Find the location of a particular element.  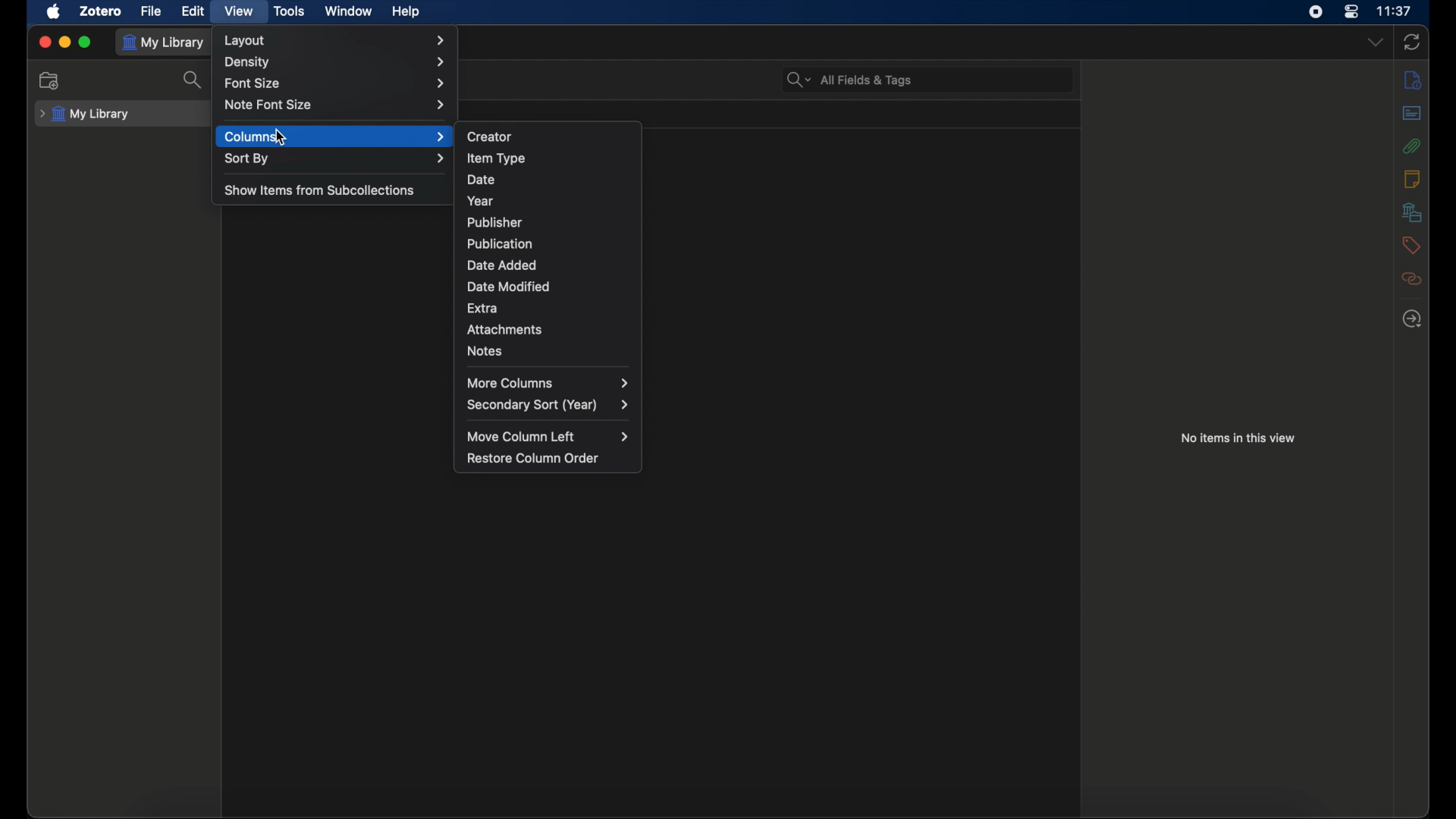

date added is located at coordinates (502, 265).